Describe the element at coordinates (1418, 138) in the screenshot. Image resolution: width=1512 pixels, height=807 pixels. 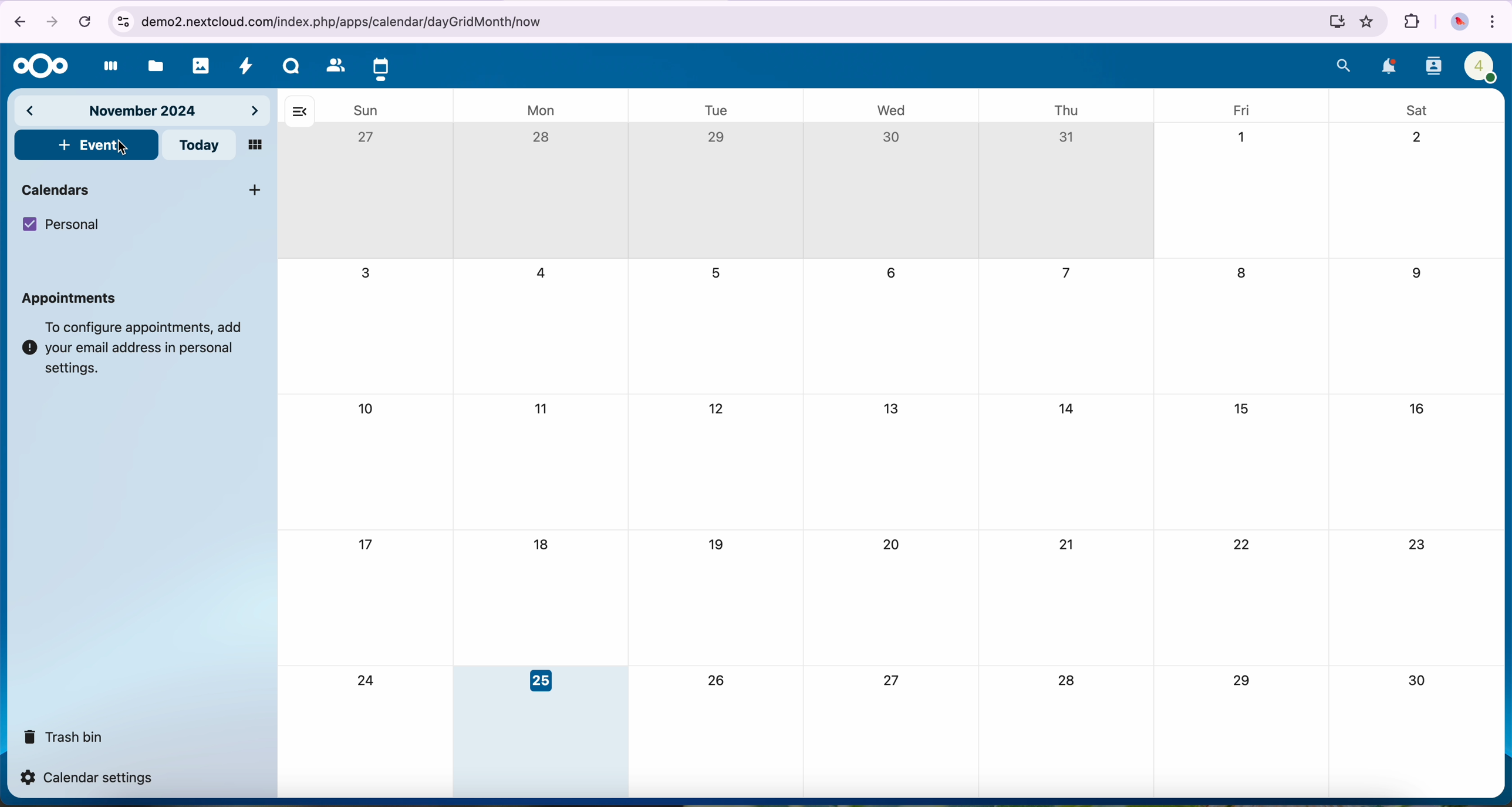
I see `2` at that location.